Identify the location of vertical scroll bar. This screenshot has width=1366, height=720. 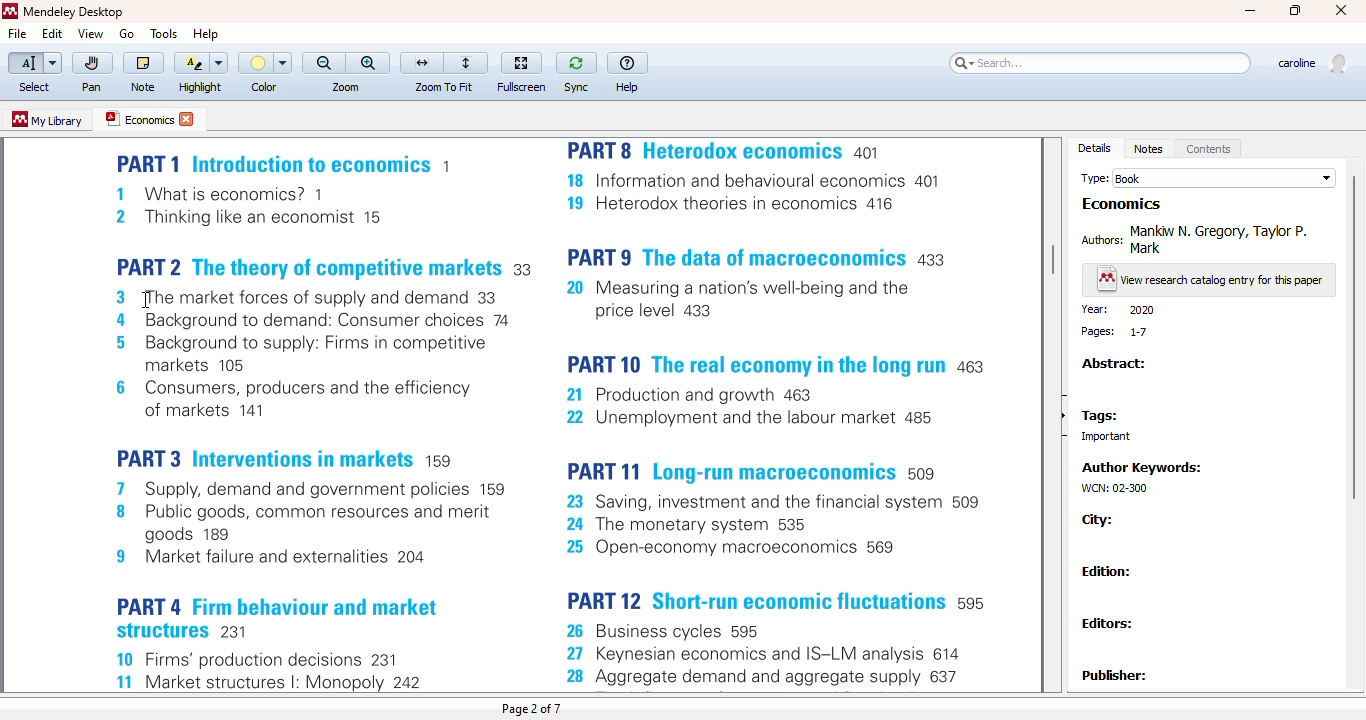
(1053, 261).